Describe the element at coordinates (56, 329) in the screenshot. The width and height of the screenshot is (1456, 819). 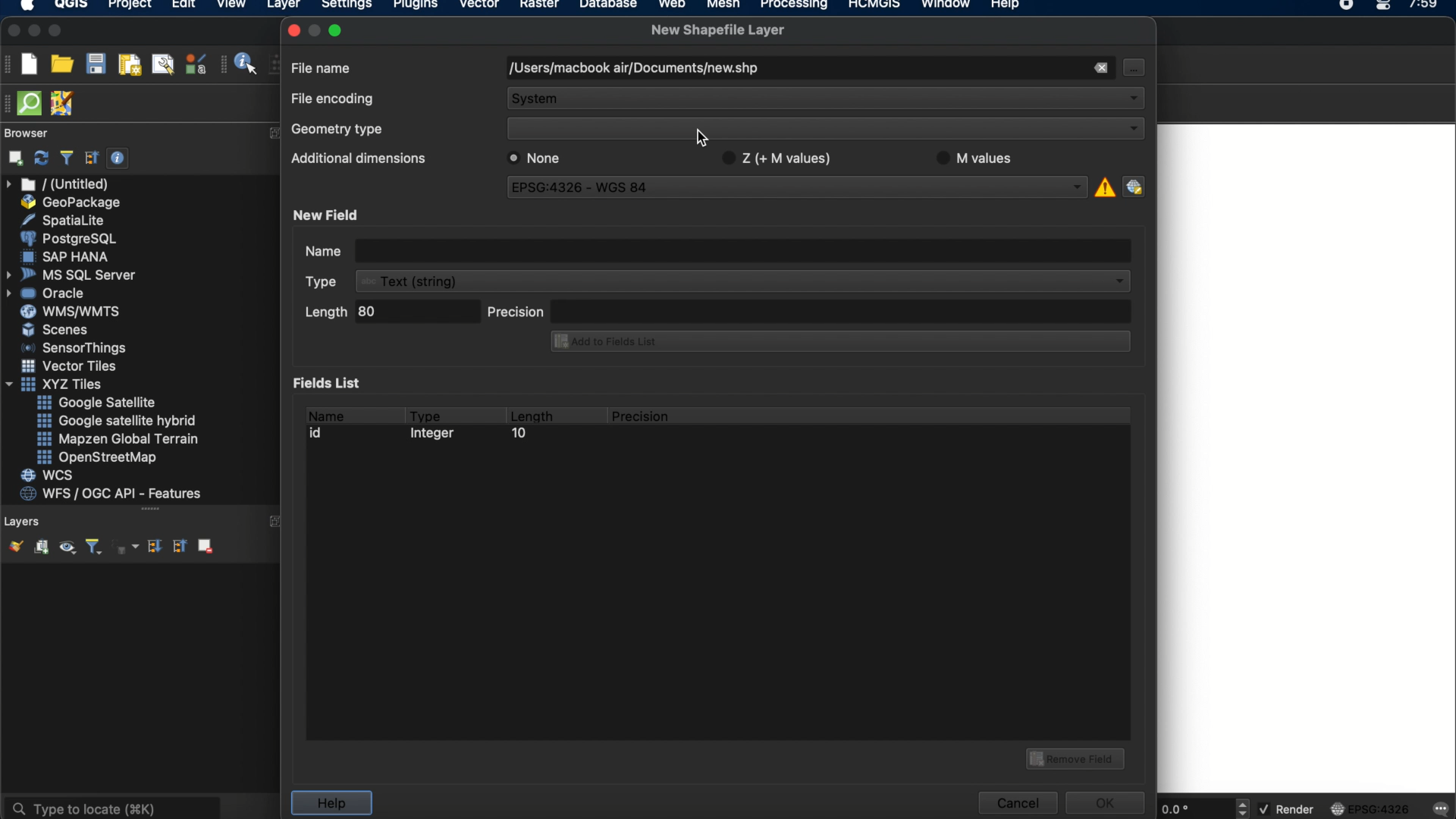
I see `scenes` at that location.